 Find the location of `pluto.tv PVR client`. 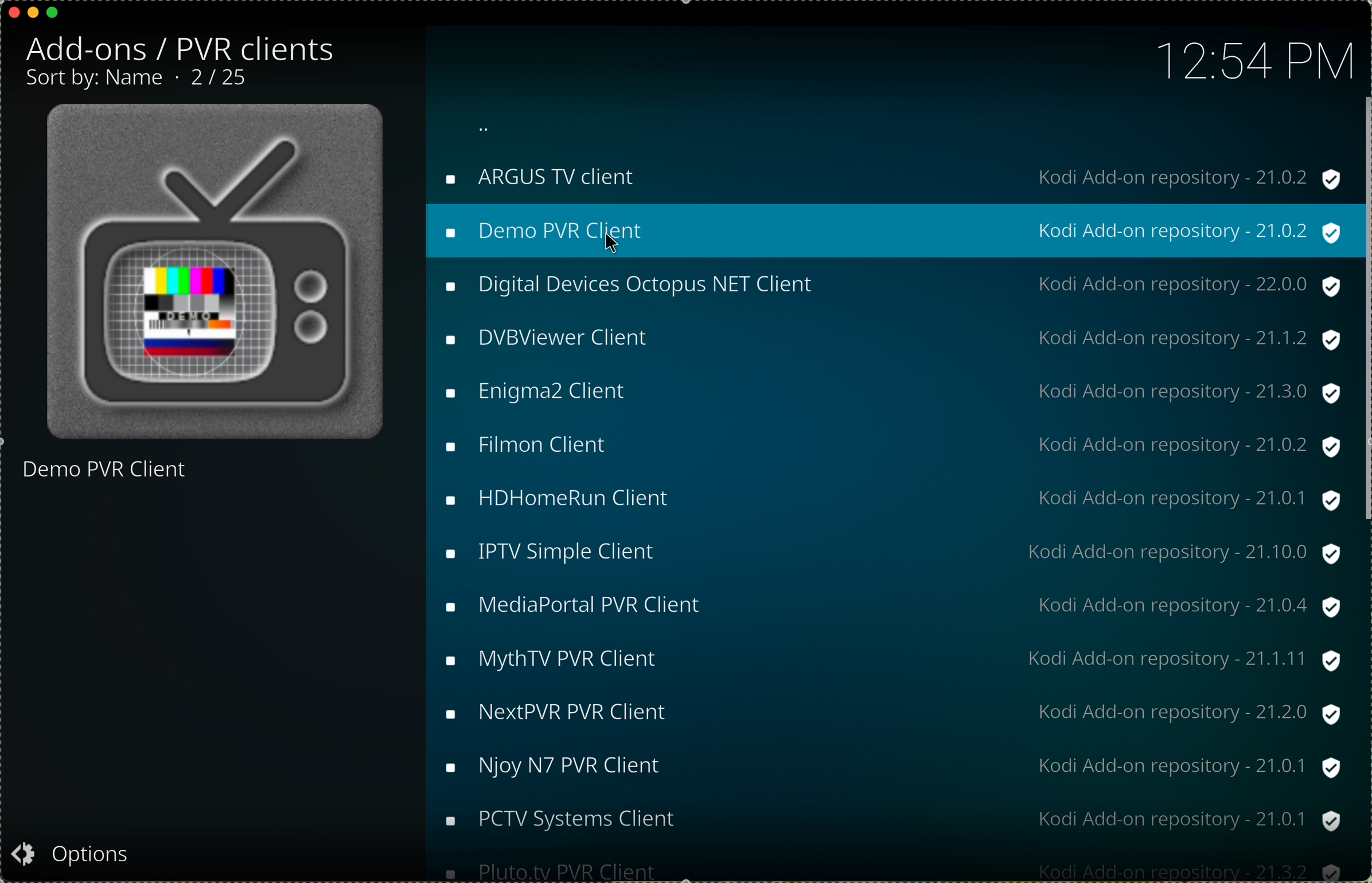

pluto.tv PVR client is located at coordinates (573, 870).